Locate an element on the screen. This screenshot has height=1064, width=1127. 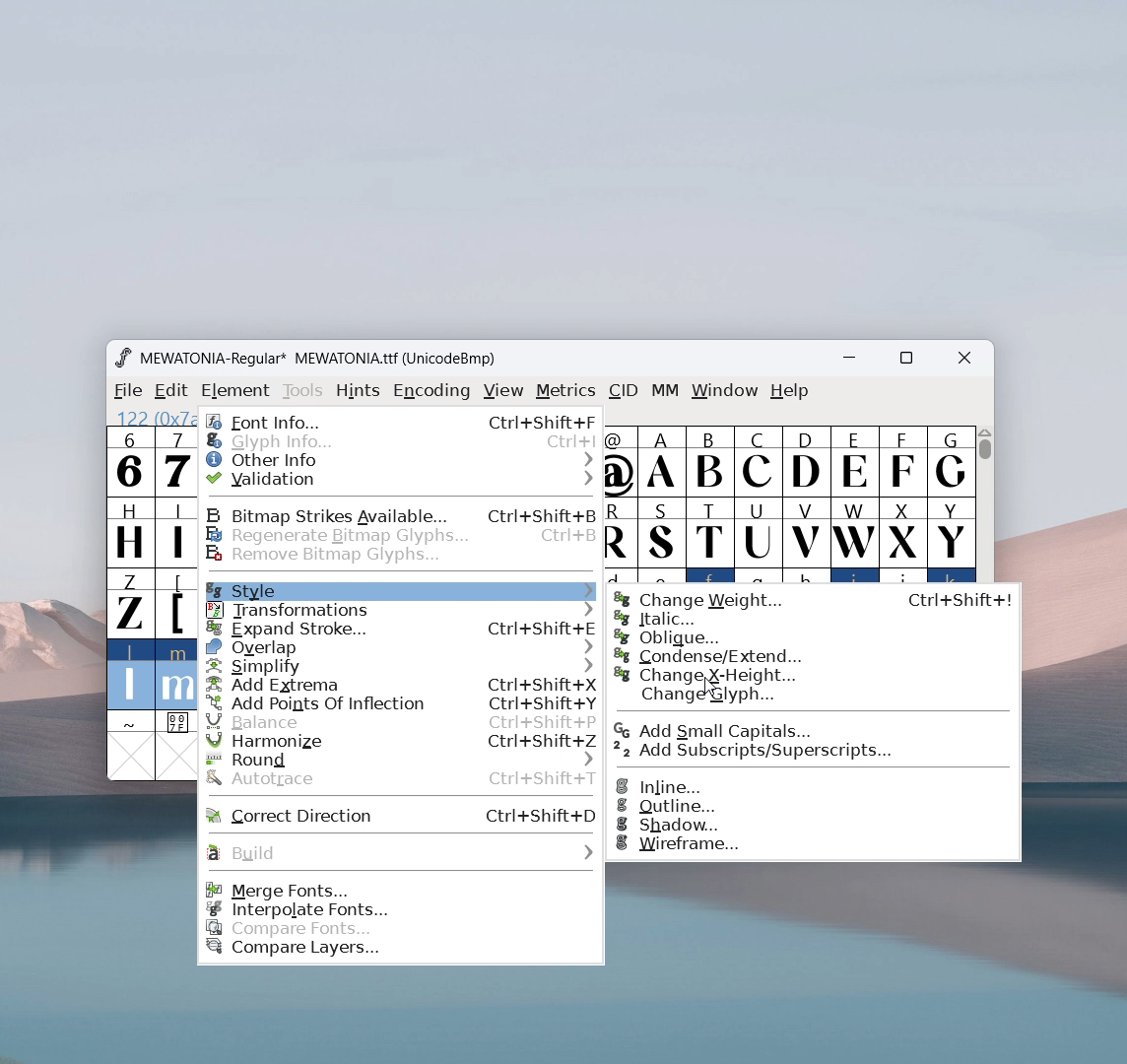
V is located at coordinates (805, 531).